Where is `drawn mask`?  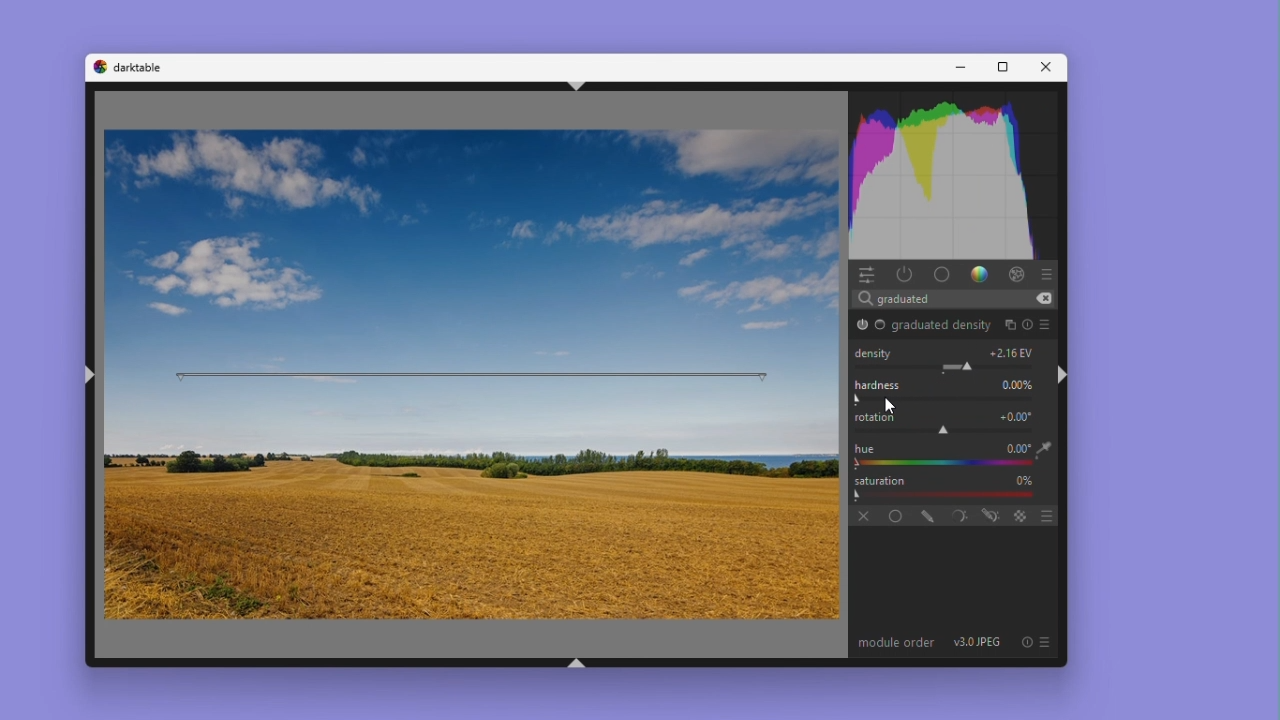
drawn mask is located at coordinates (926, 516).